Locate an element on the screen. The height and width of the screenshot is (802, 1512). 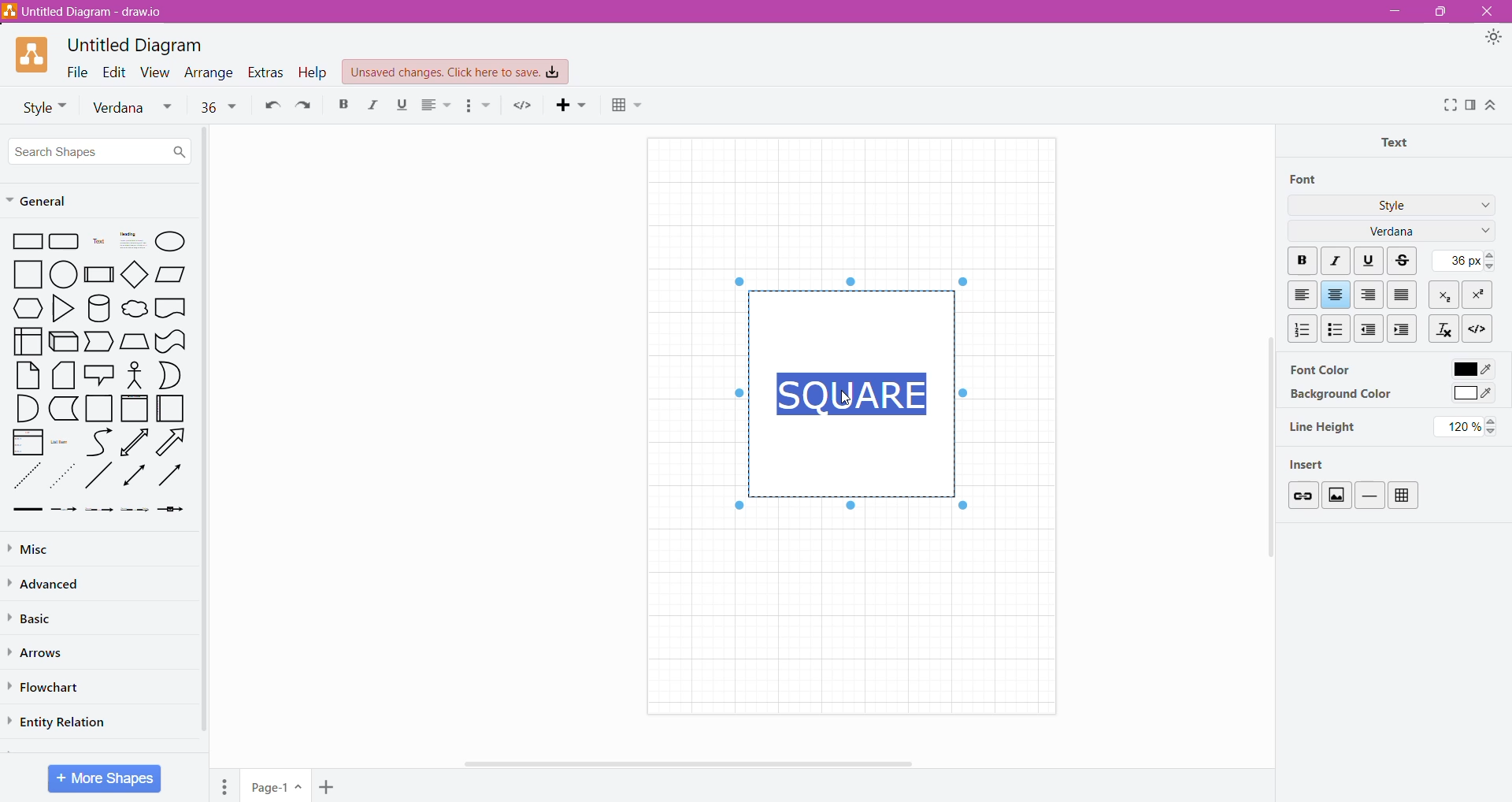
Dashed Arrow  is located at coordinates (63, 508).